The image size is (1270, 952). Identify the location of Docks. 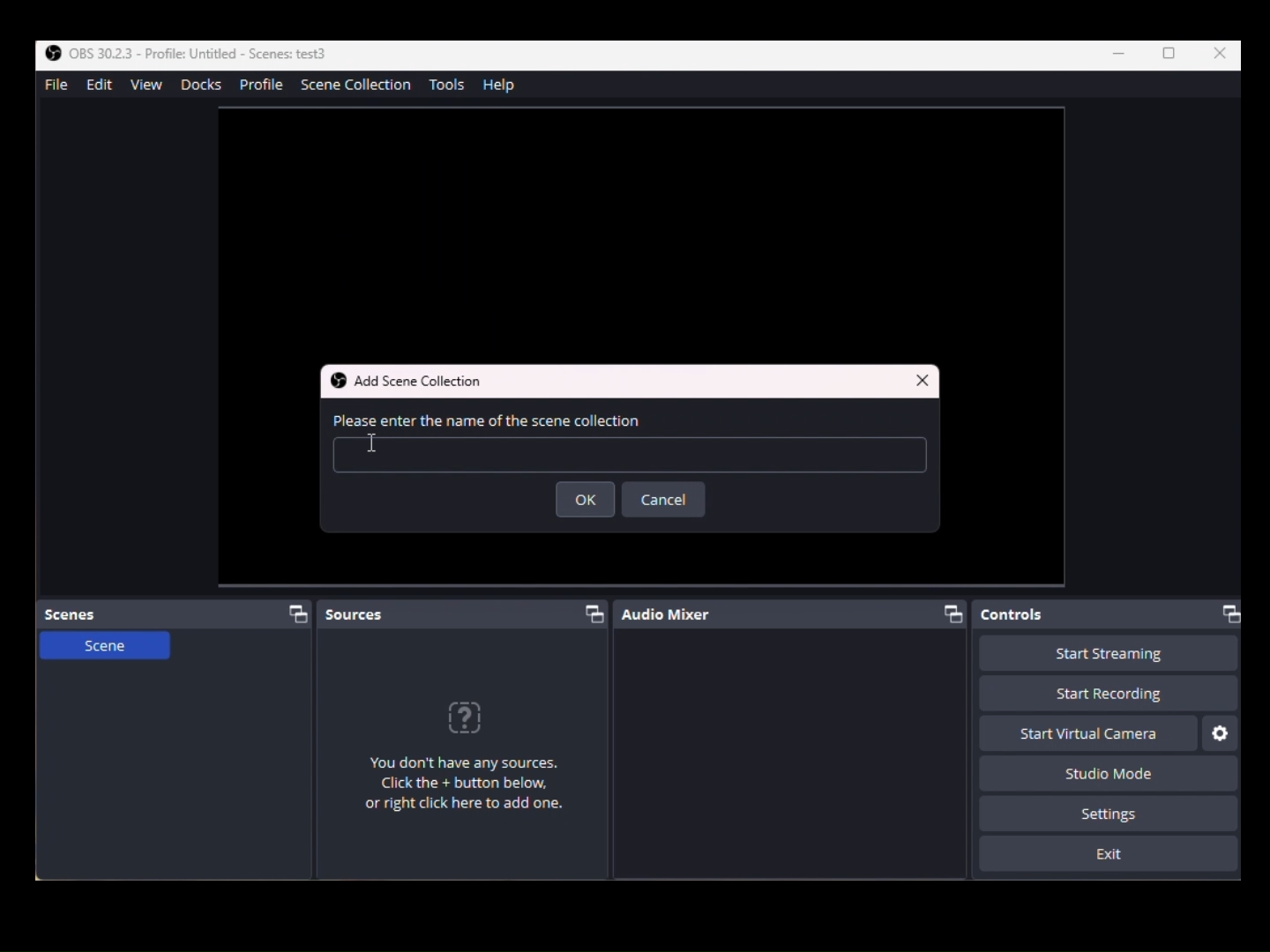
(199, 85).